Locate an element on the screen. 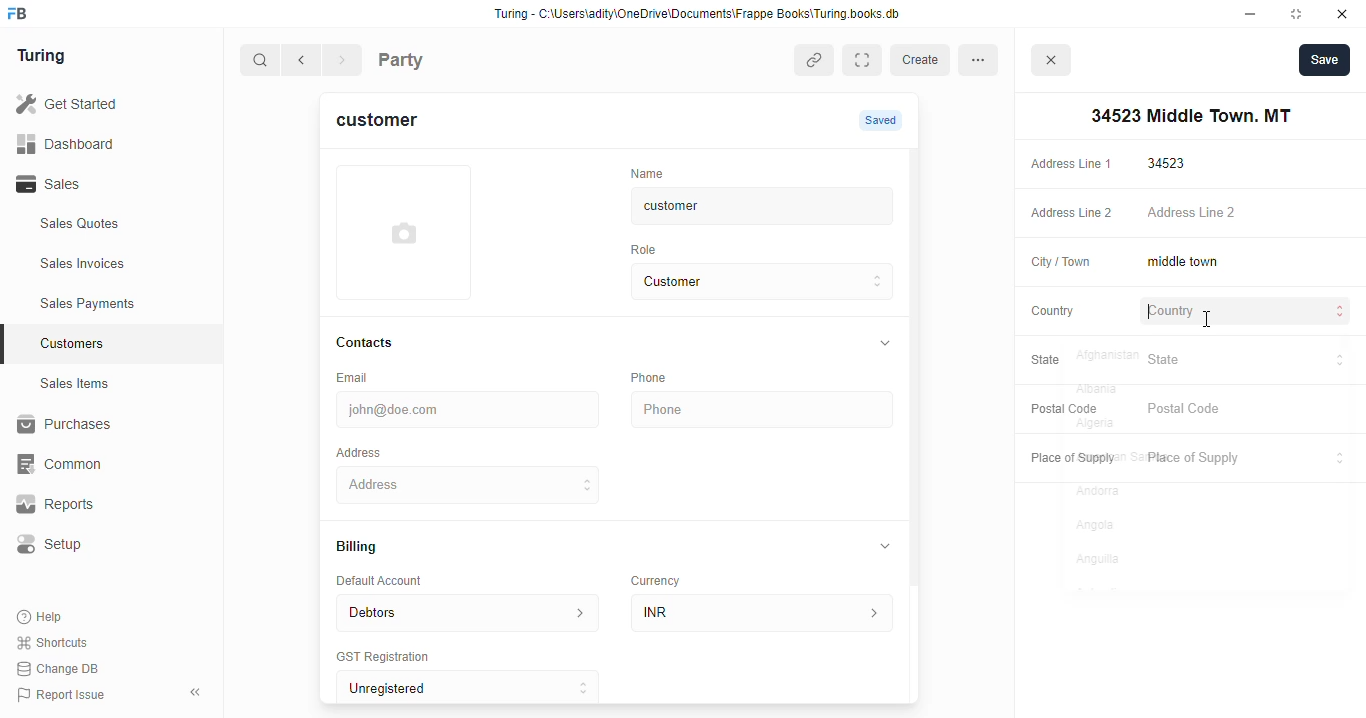 The height and width of the screenshot is (718, 1366). Report Issue is located at coordinates (65, 693).